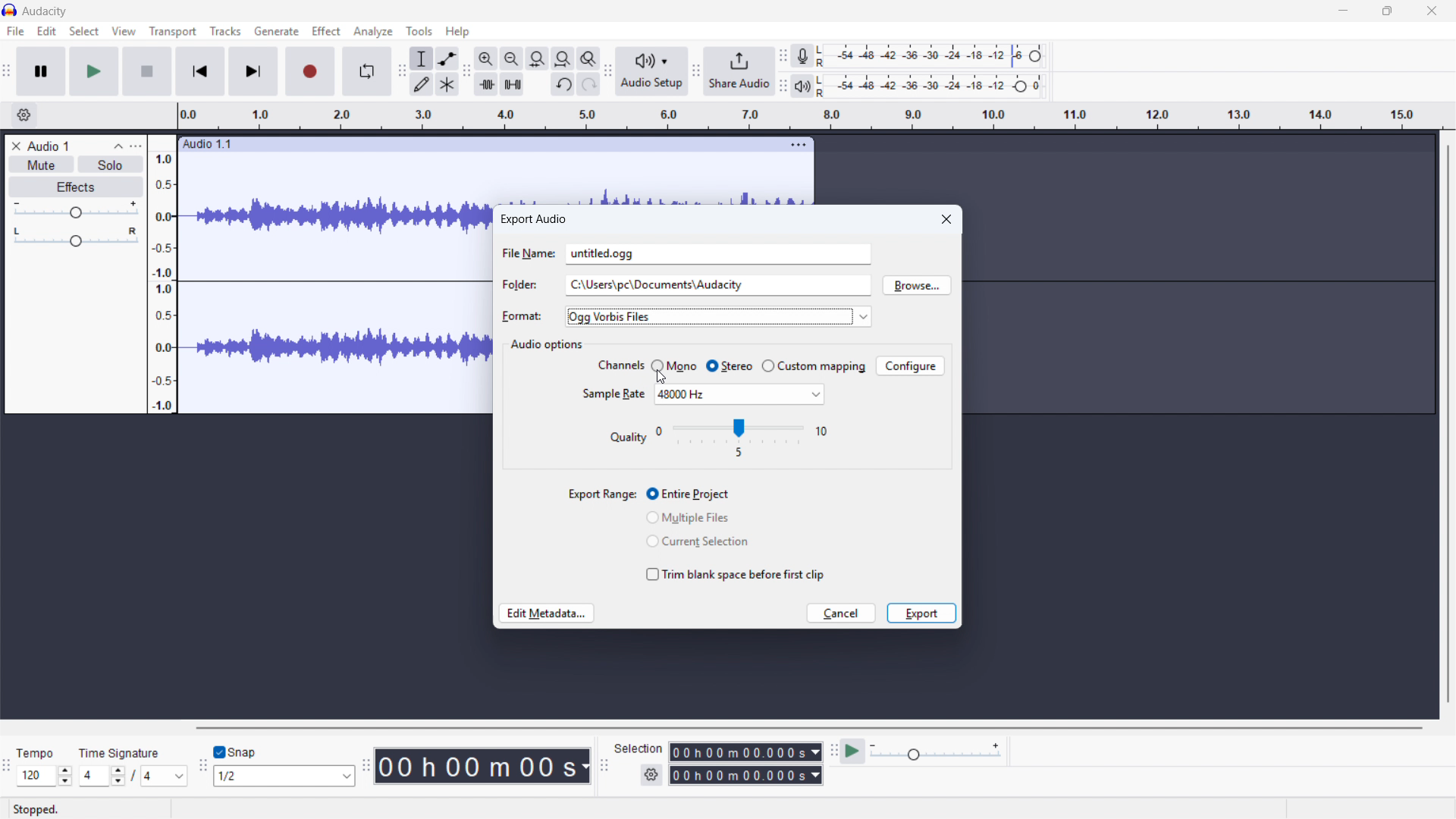 The image size is (1456, 819). I want to click on Timestamp , so click(484, 767).